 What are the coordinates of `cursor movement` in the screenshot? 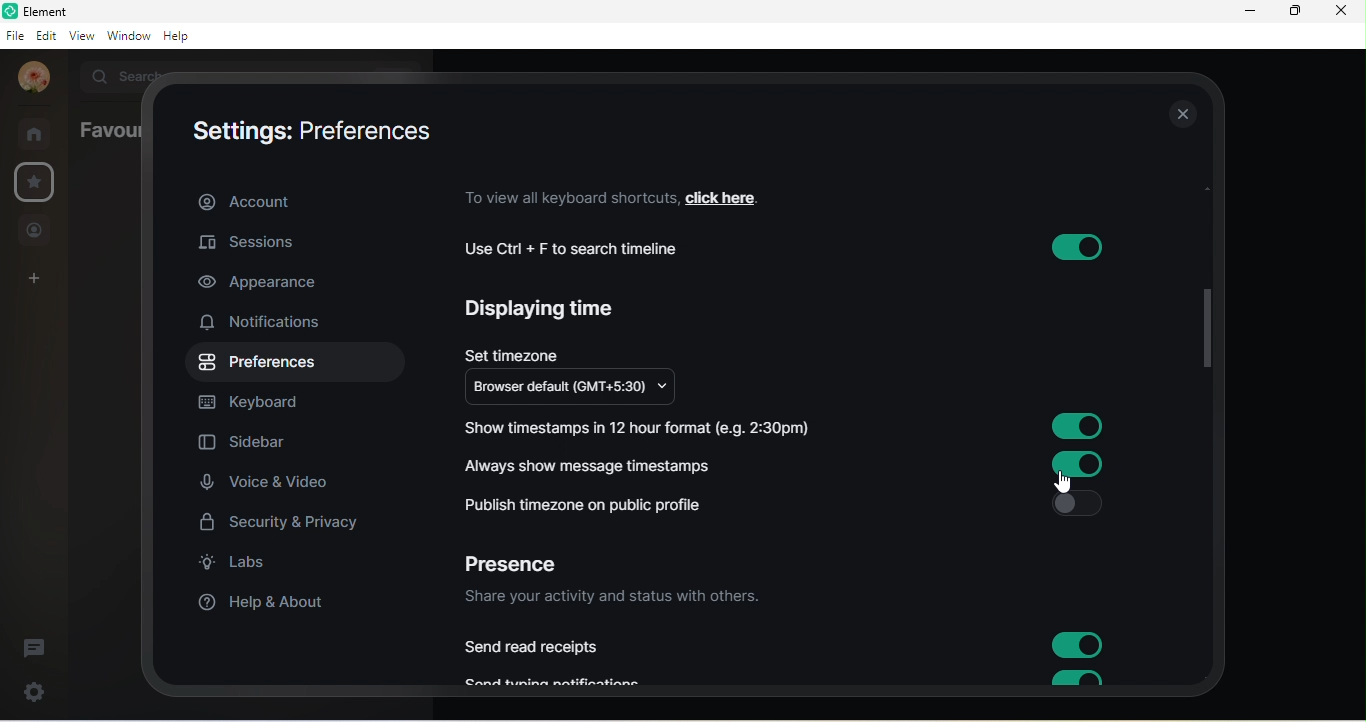 It's located at (1063, 478).